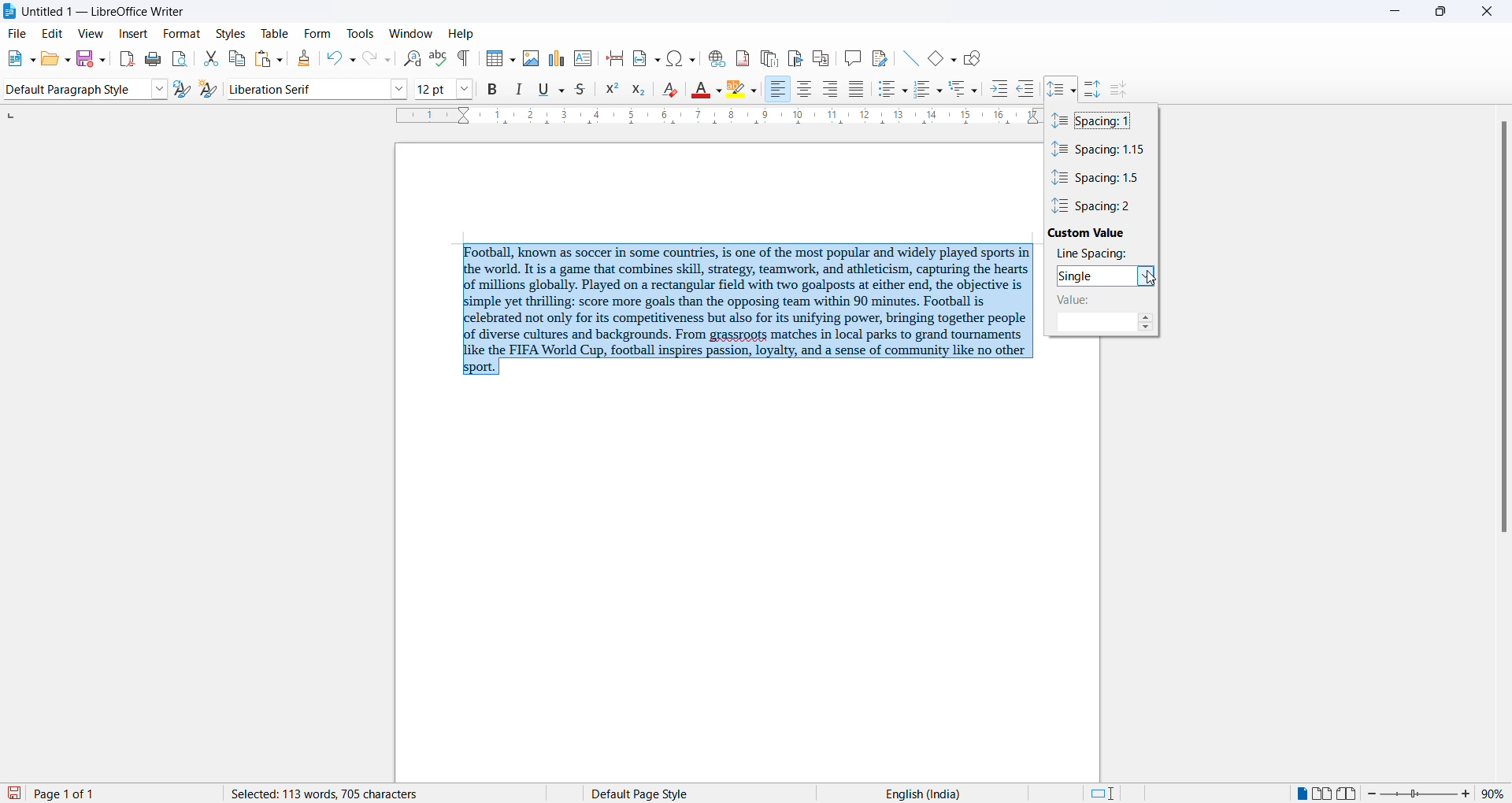  Describe the element at coordinates (976, 91) in the screenshot. I see `outline format options` at that location.